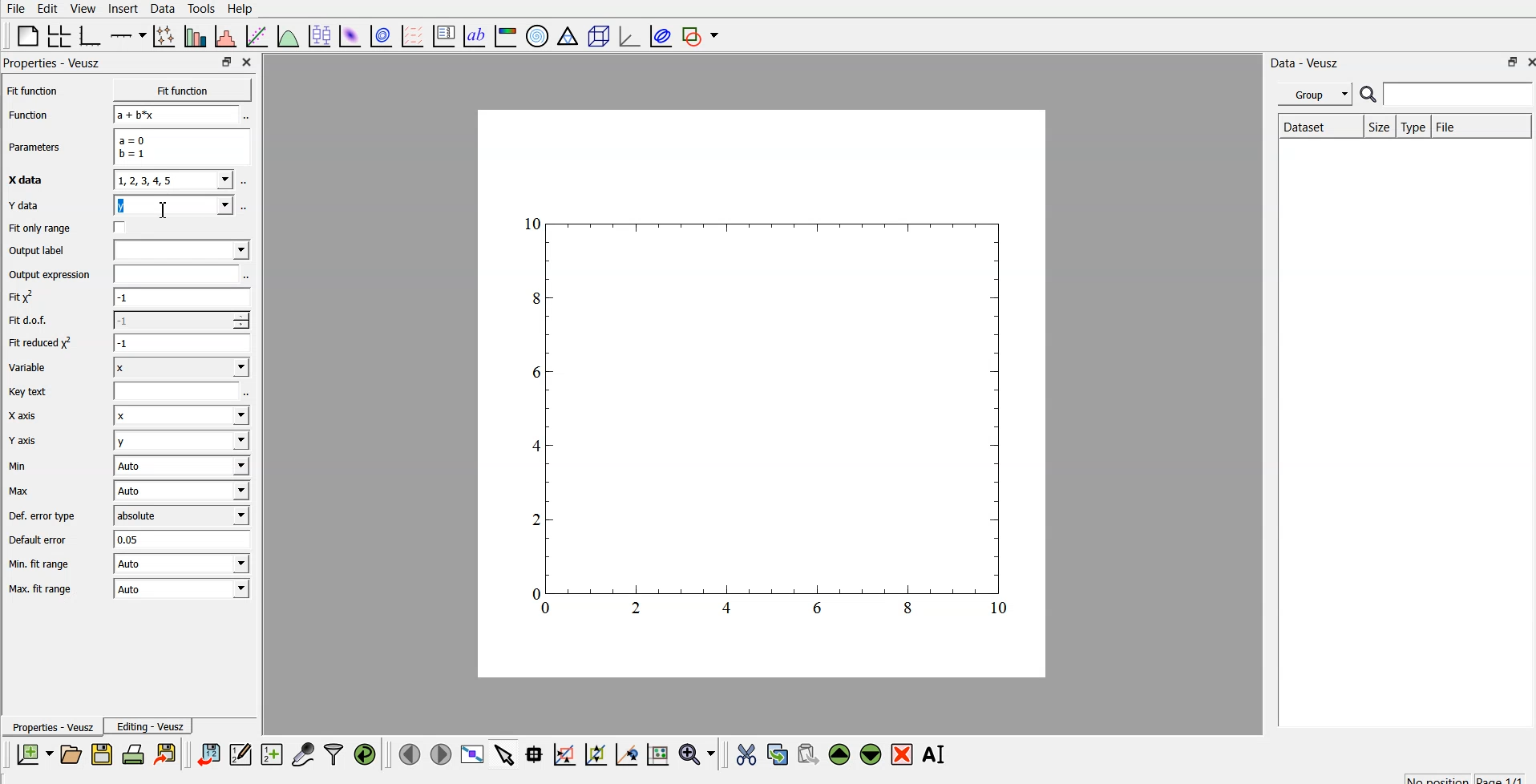 The width and height of the screenshot is (1536, 784). Describe the element at coordinates (351, 36) in the screenshot. I see `plot 2d data set as an image` at that location.